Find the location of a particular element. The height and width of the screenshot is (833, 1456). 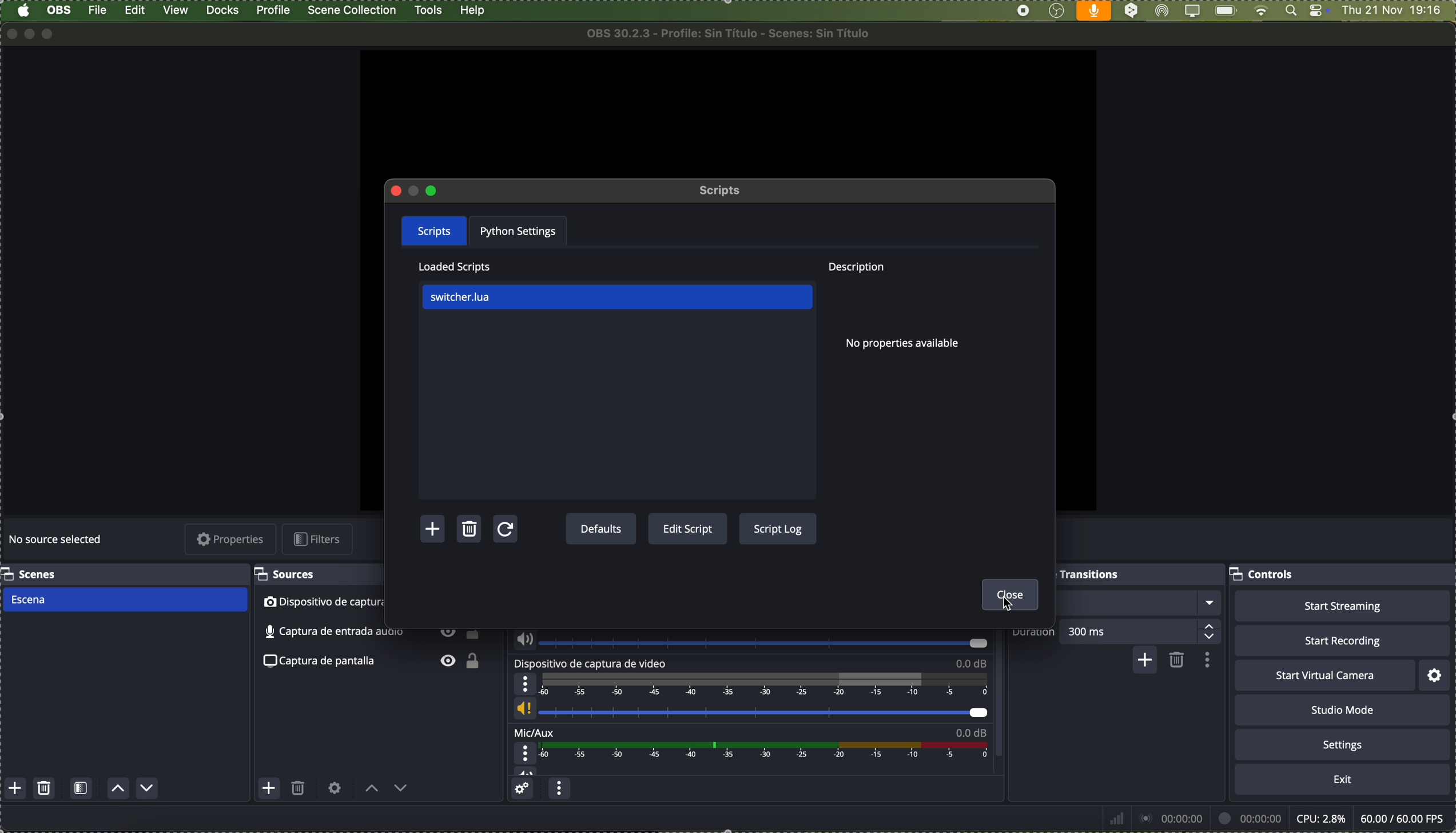

profile is located at coordinates (272, 10).